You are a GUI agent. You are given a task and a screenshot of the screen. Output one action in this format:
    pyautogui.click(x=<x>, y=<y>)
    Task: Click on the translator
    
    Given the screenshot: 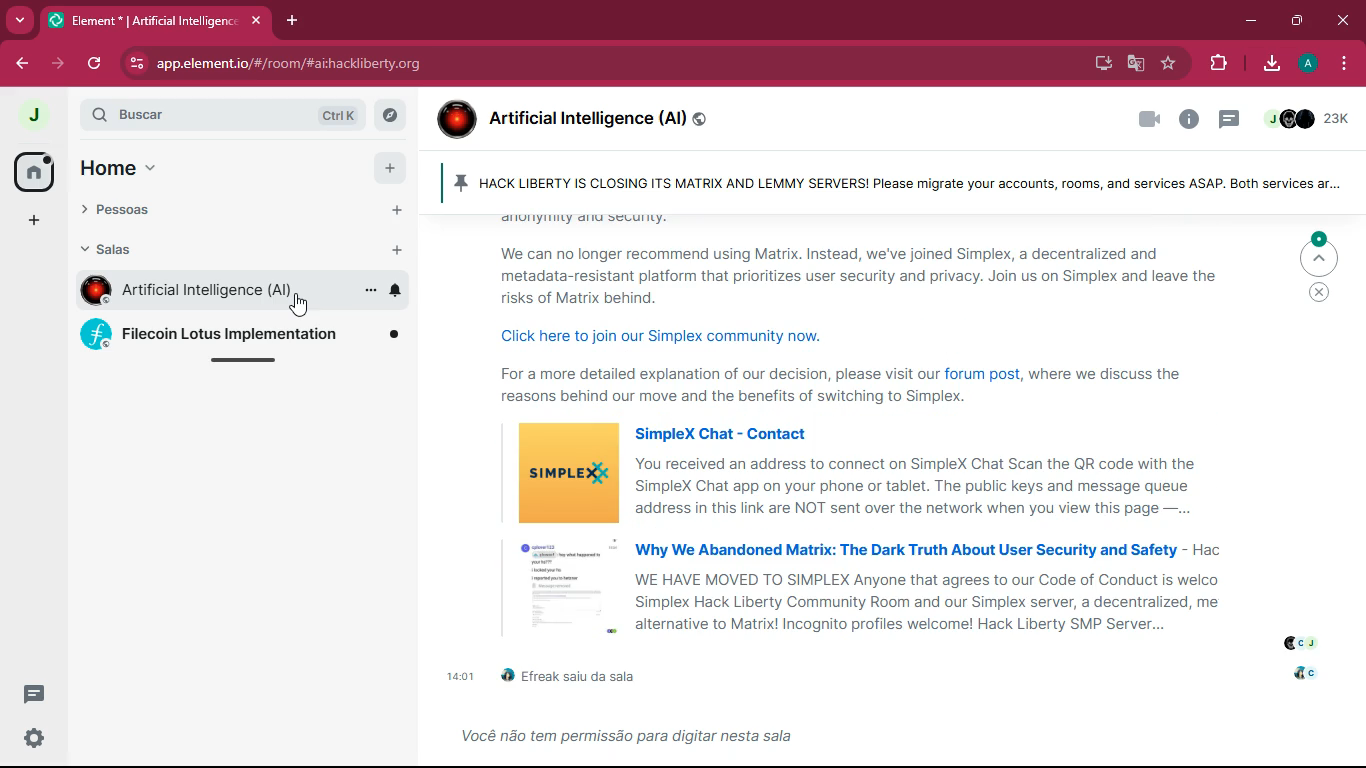 What is the action you would take?
    pyautogui.click(x=1134, y=64)
    